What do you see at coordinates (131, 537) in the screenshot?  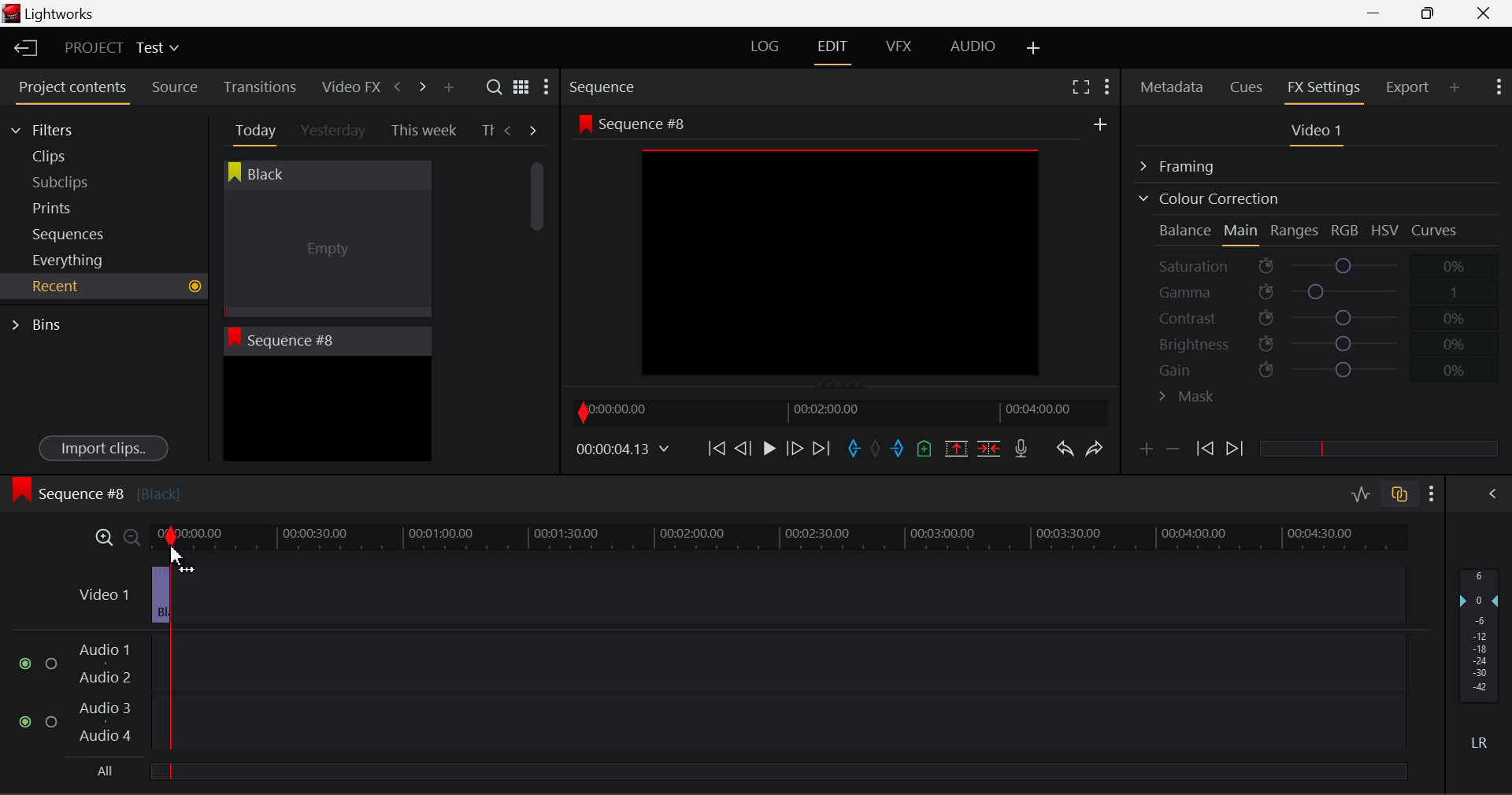 I see `Timeline Zoom Out` at bounding box center [131, 537].